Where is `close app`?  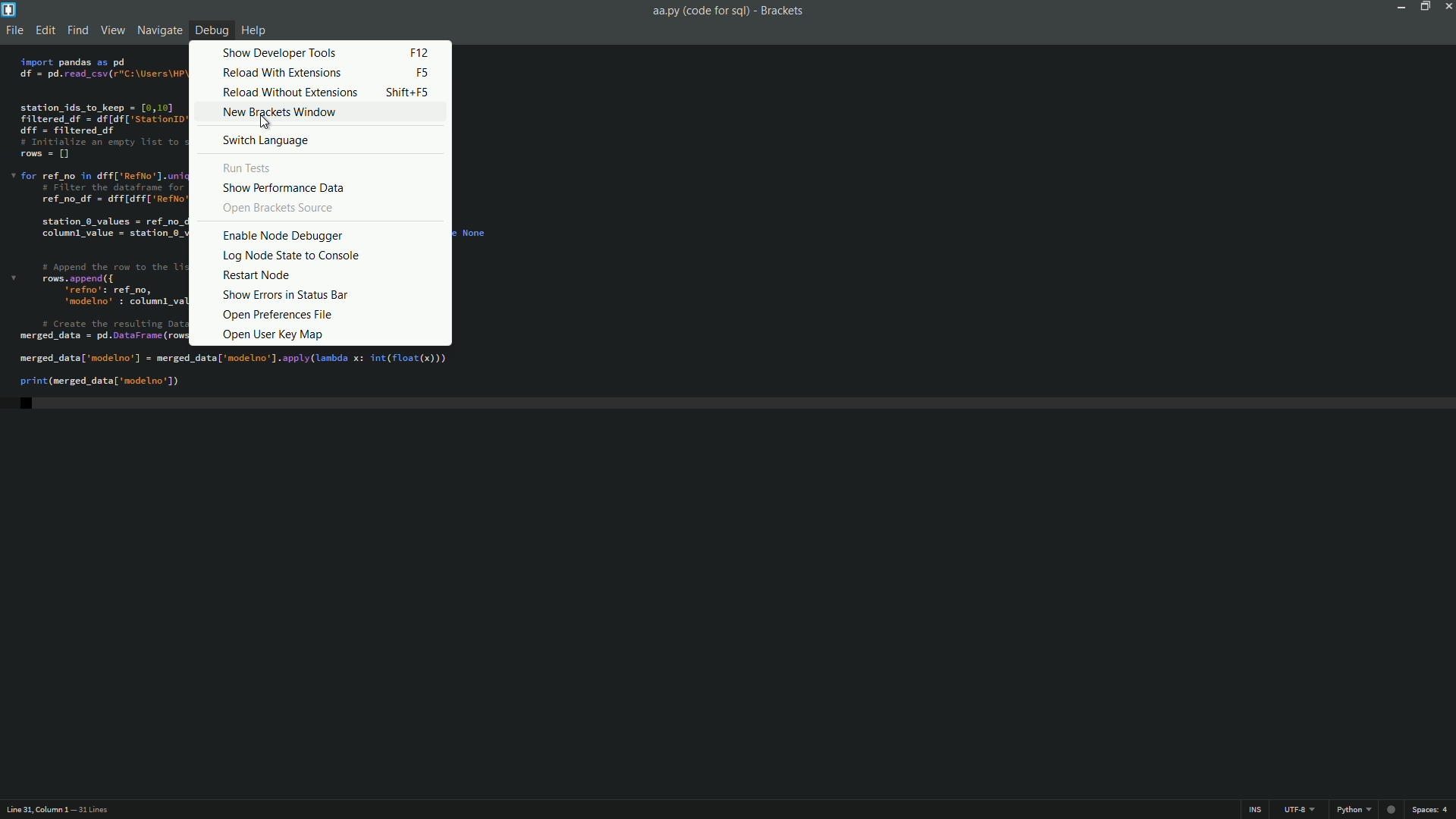
close app is located at coordinates (1447, 6).